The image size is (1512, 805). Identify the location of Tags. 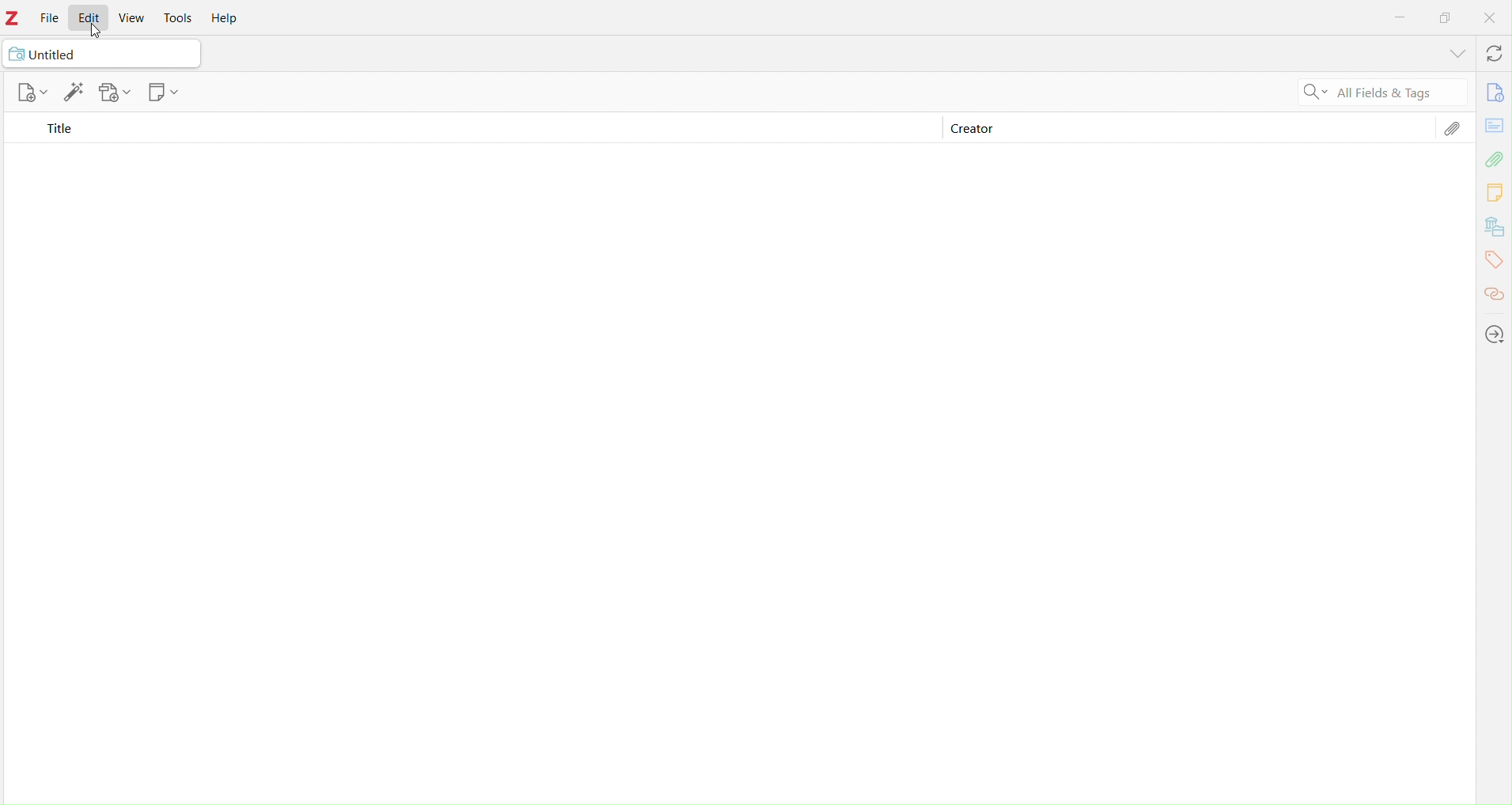
(1493, 260).